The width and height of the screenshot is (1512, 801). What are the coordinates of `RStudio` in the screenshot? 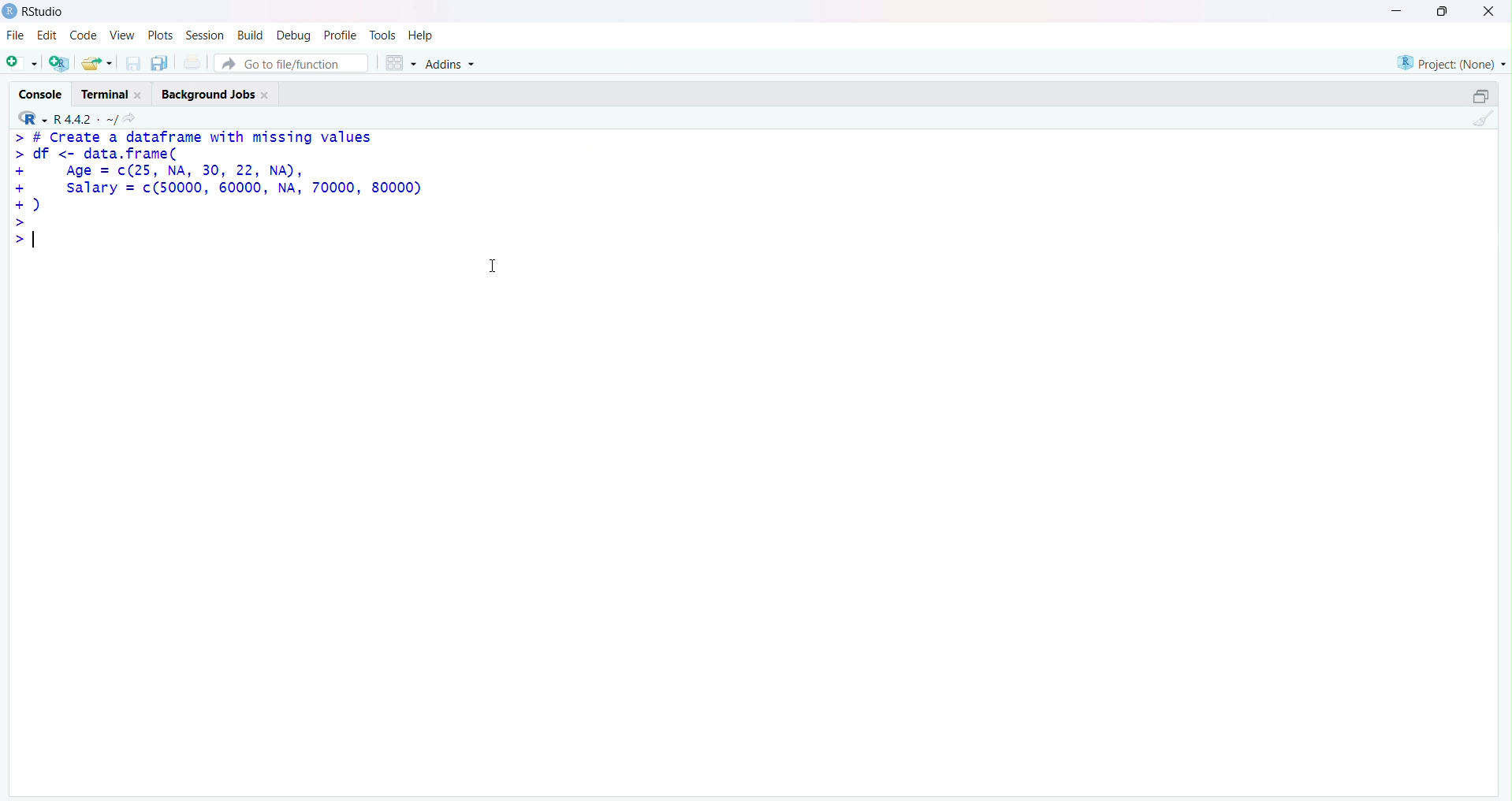 It's located at (42, 12).